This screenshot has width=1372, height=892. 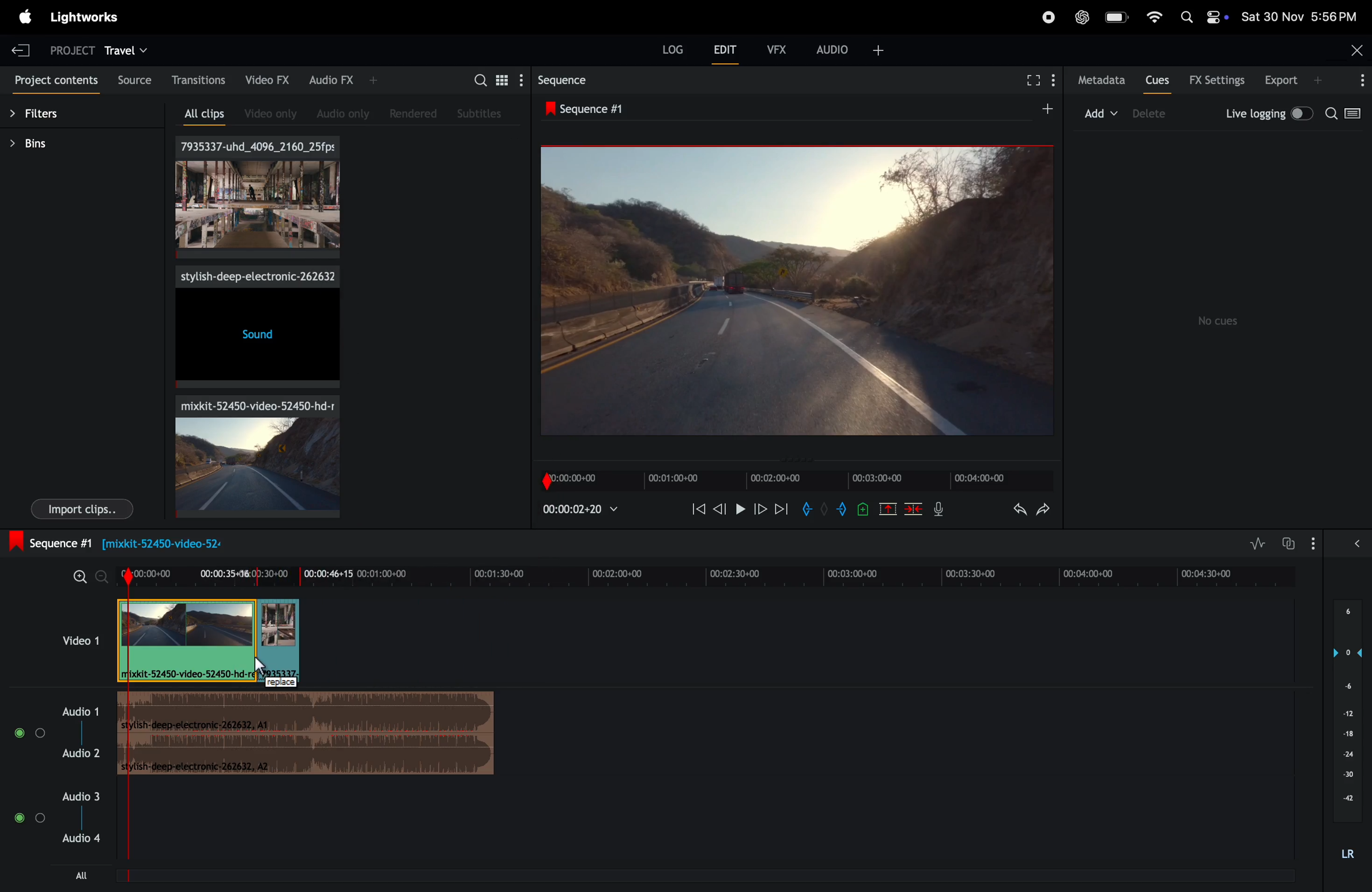 I want to click on bins, so click(x=38, y=143).